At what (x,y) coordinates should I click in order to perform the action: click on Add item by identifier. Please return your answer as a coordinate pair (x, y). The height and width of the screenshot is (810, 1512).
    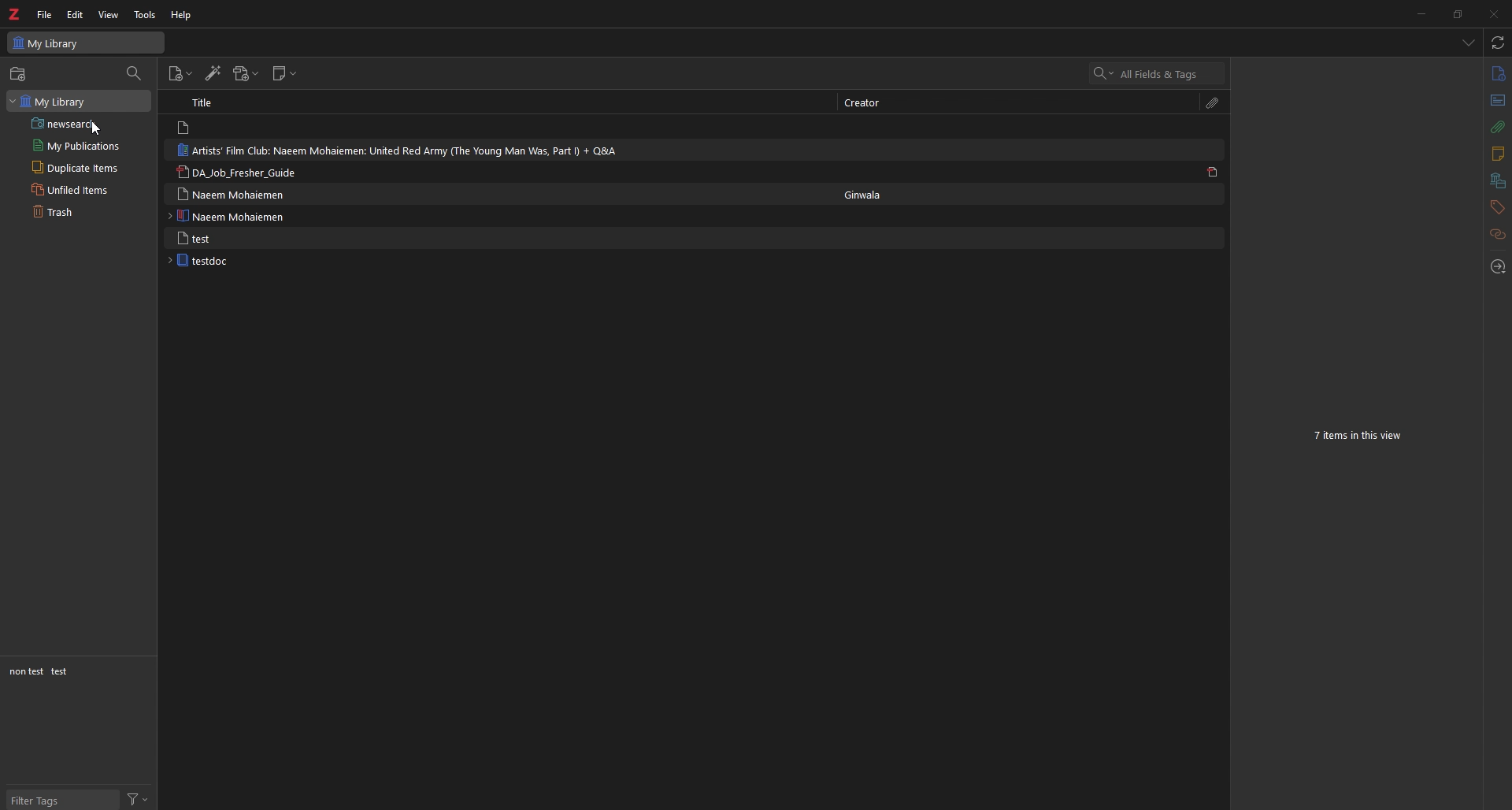
    Looking at the image, I should click on (211, 74).